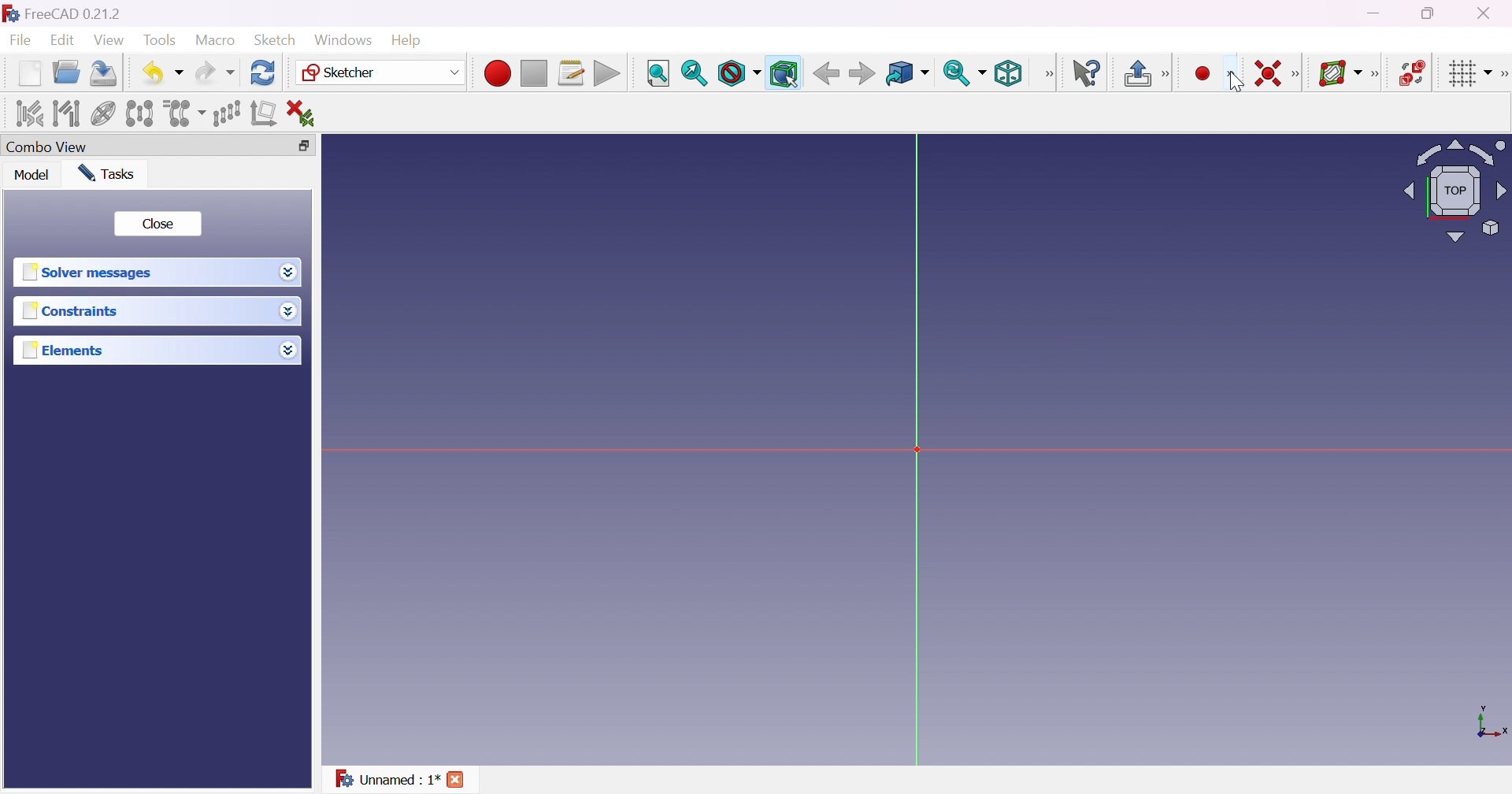 The width and height of the screenshot is (1512, 794). Describe the element at coordinates (225, 113) in the screenshot. I see `Rectangular array` at that location.